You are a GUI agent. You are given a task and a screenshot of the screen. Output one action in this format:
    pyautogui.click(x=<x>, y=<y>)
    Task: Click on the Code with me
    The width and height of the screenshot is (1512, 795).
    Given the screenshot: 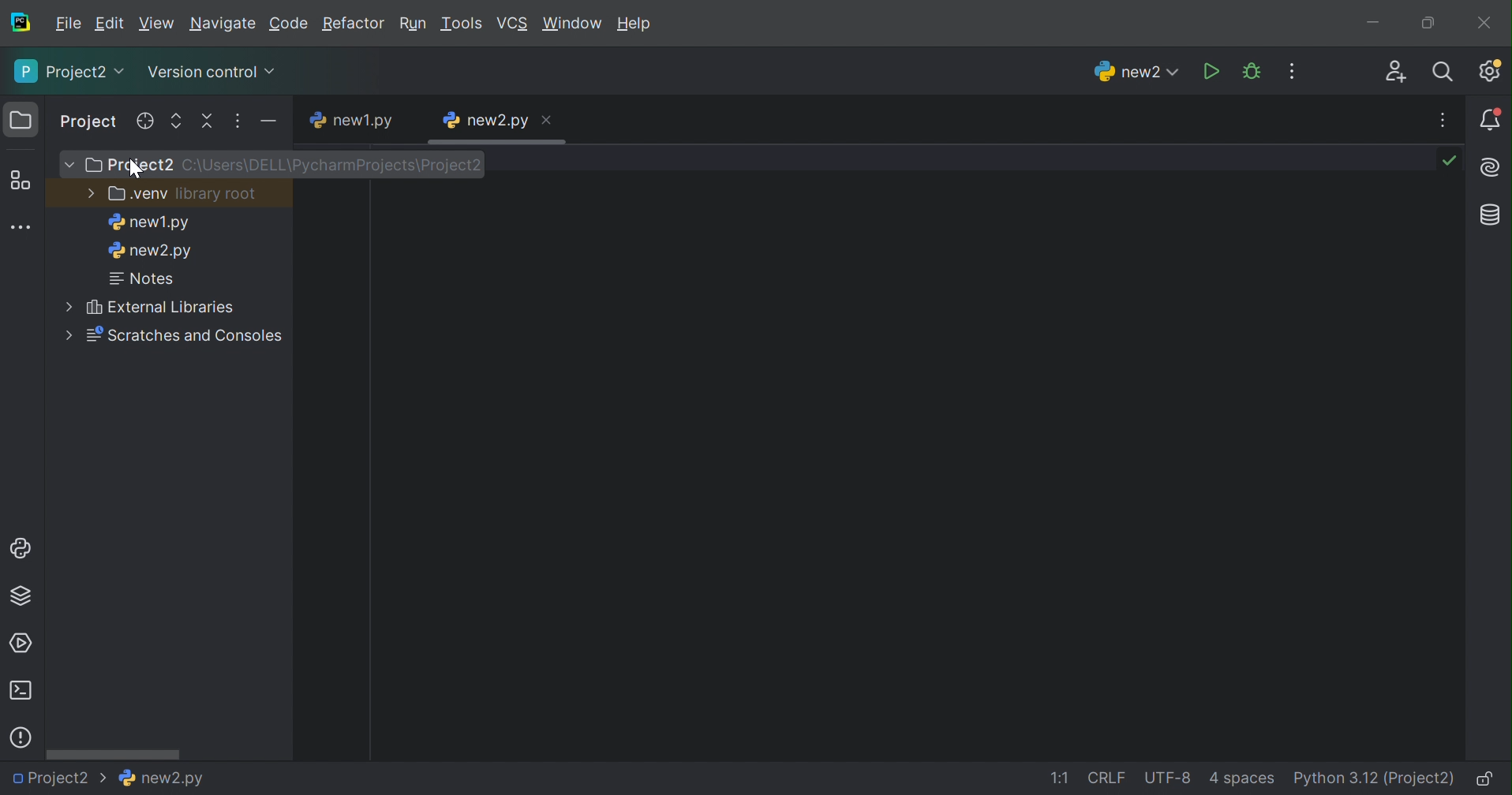 What is the action you would take?
    pyautogui.click(x=1396, y=72)
    